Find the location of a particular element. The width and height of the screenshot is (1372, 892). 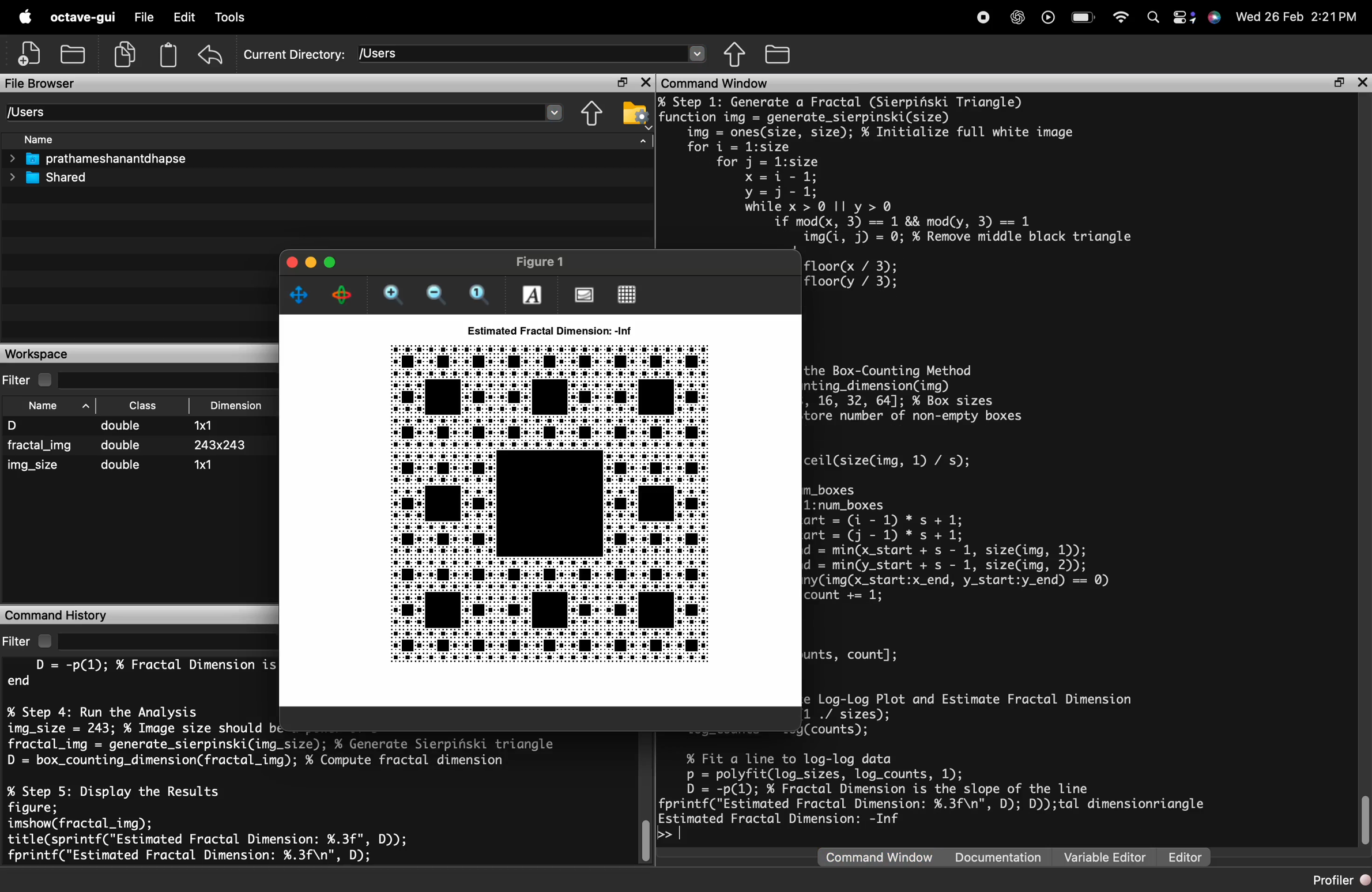

D double 1x1fractal_img double 243x243img_size double 1x1 is located at coordinates (131, 455).